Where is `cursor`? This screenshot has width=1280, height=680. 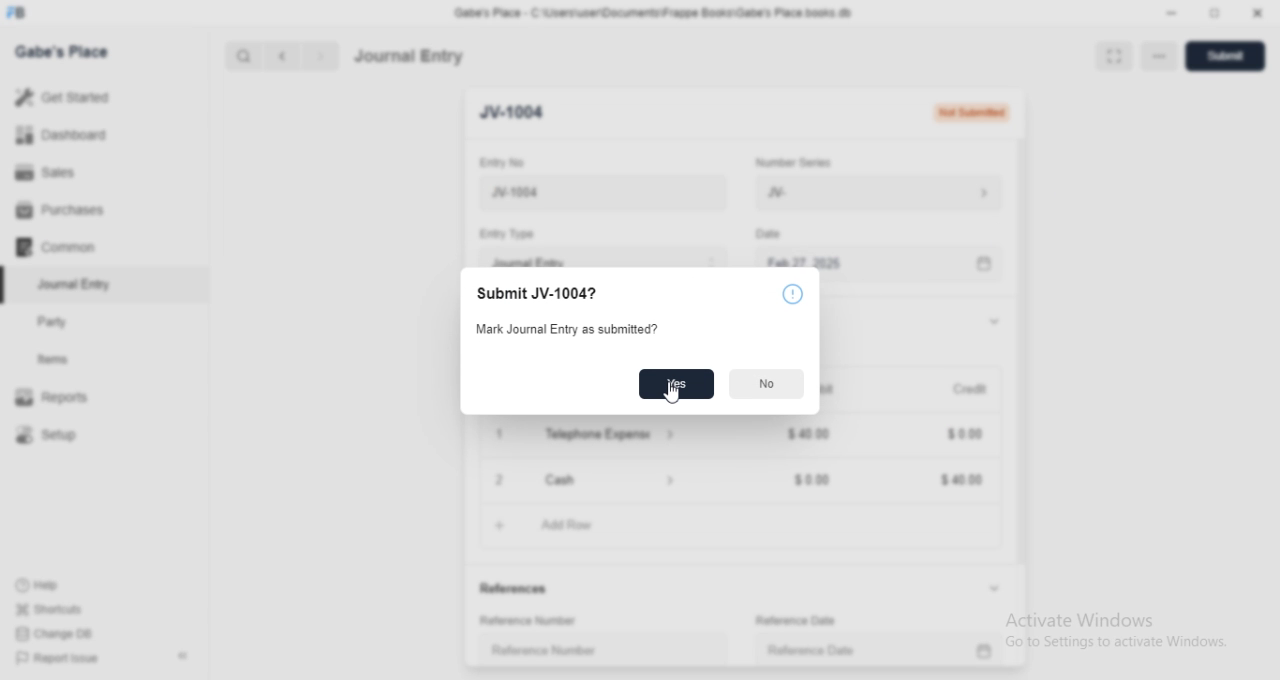 cursor is located at coordinates (668, 391).